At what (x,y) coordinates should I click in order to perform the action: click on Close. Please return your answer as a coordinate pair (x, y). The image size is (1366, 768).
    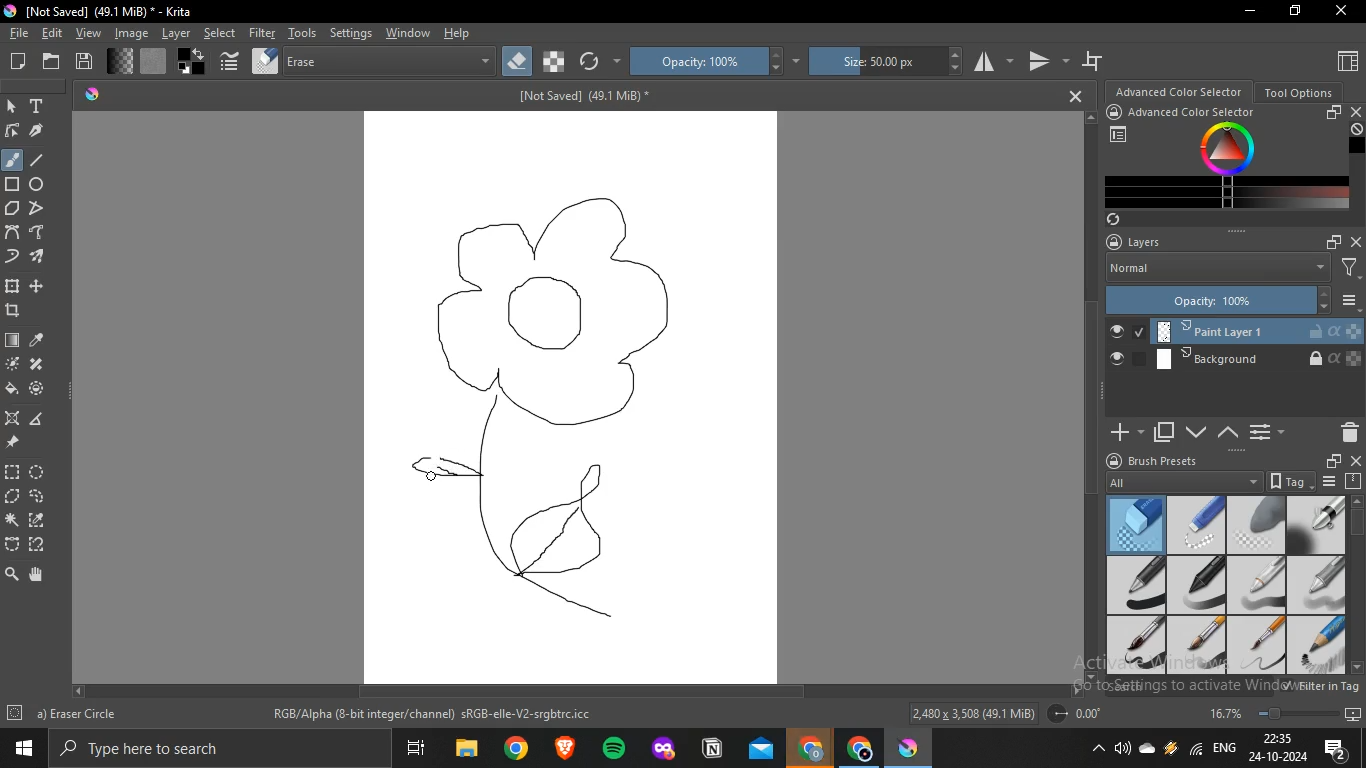
    Looking at the image, I should click on (1342, 10).